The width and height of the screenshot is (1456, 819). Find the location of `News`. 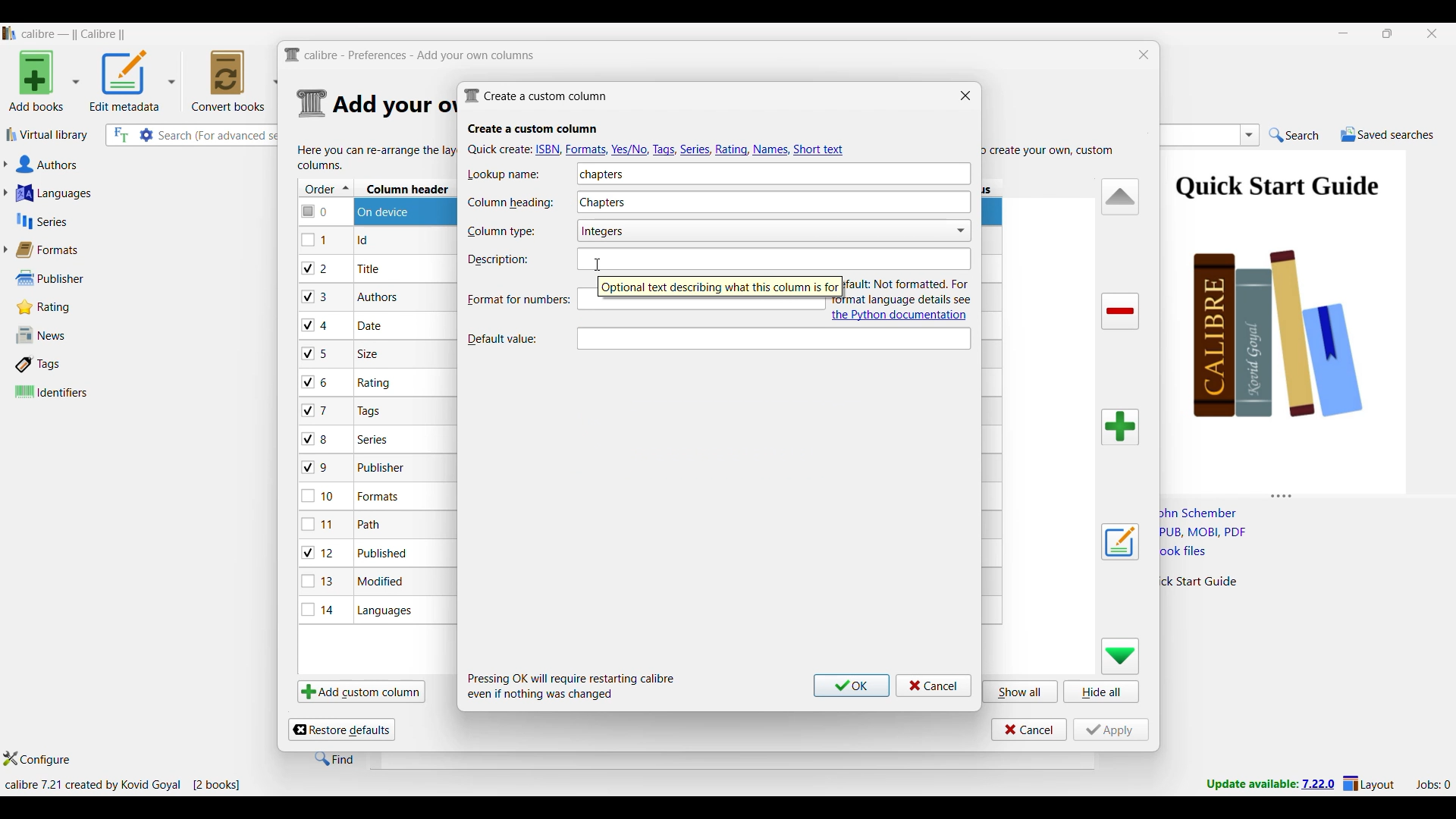

News is located at coordinates (71, 335).